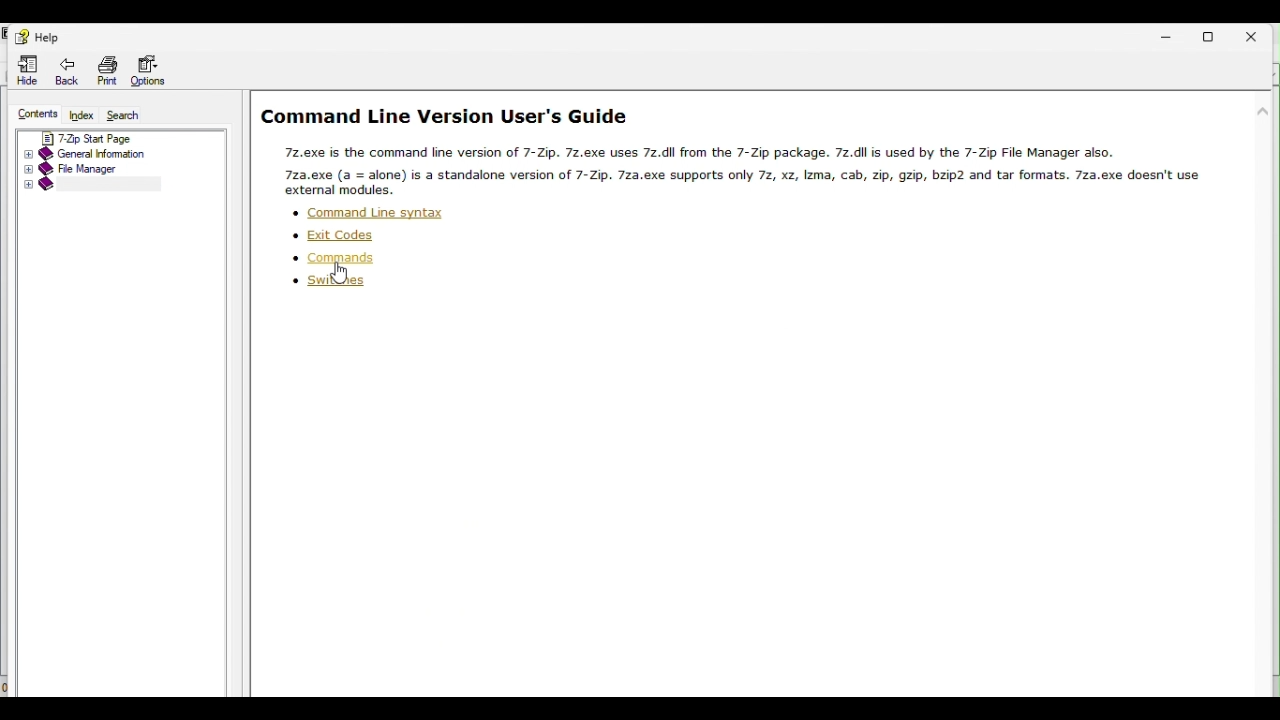 Image resolution: width=1280 pixels, height=720 pixels. What do you see at coordinates (100, 168) in the screenshot?
I see `file manager` at bounding box center [100, 168].